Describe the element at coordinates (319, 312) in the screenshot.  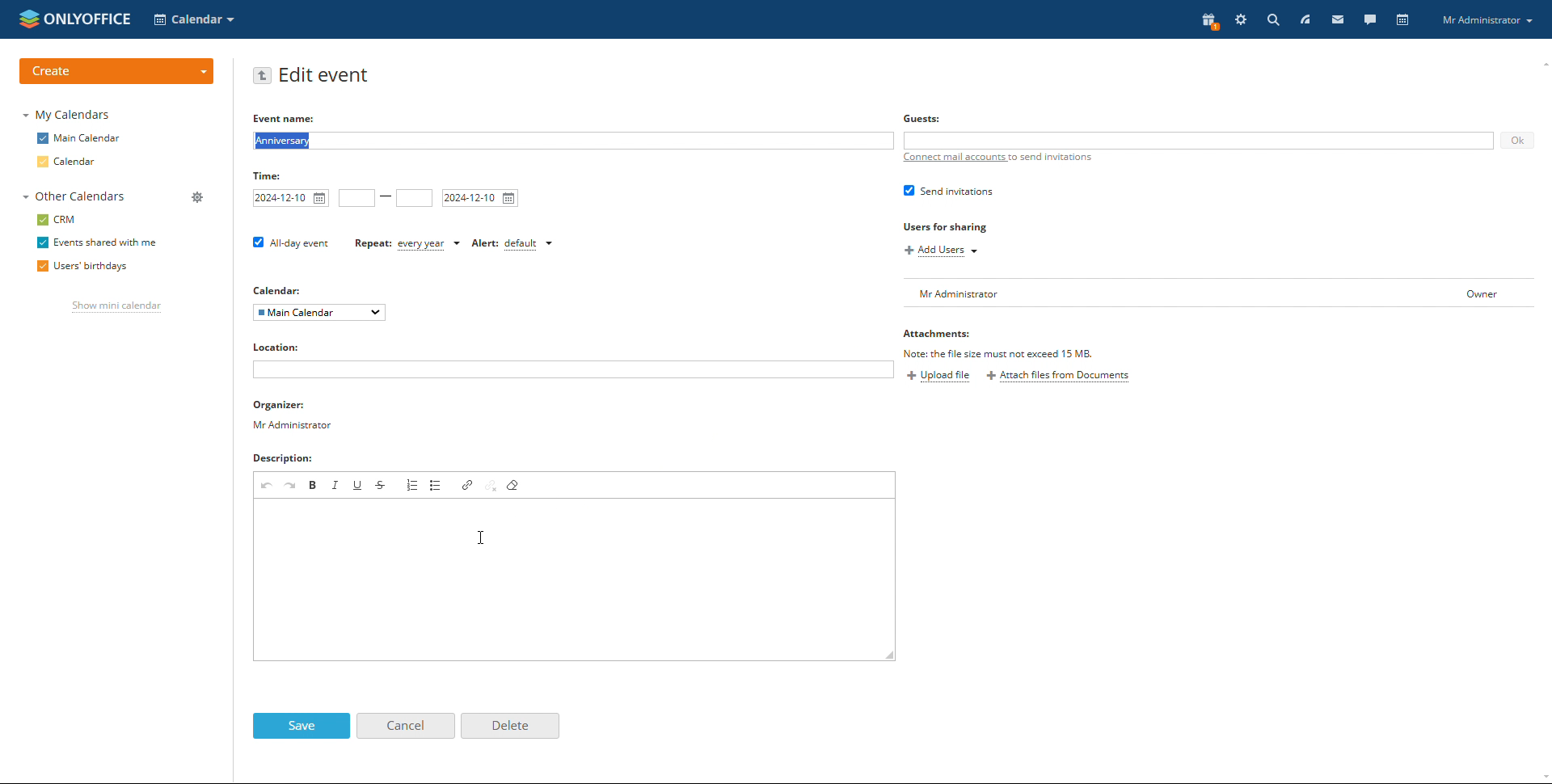
I see `select calendar` at that location.